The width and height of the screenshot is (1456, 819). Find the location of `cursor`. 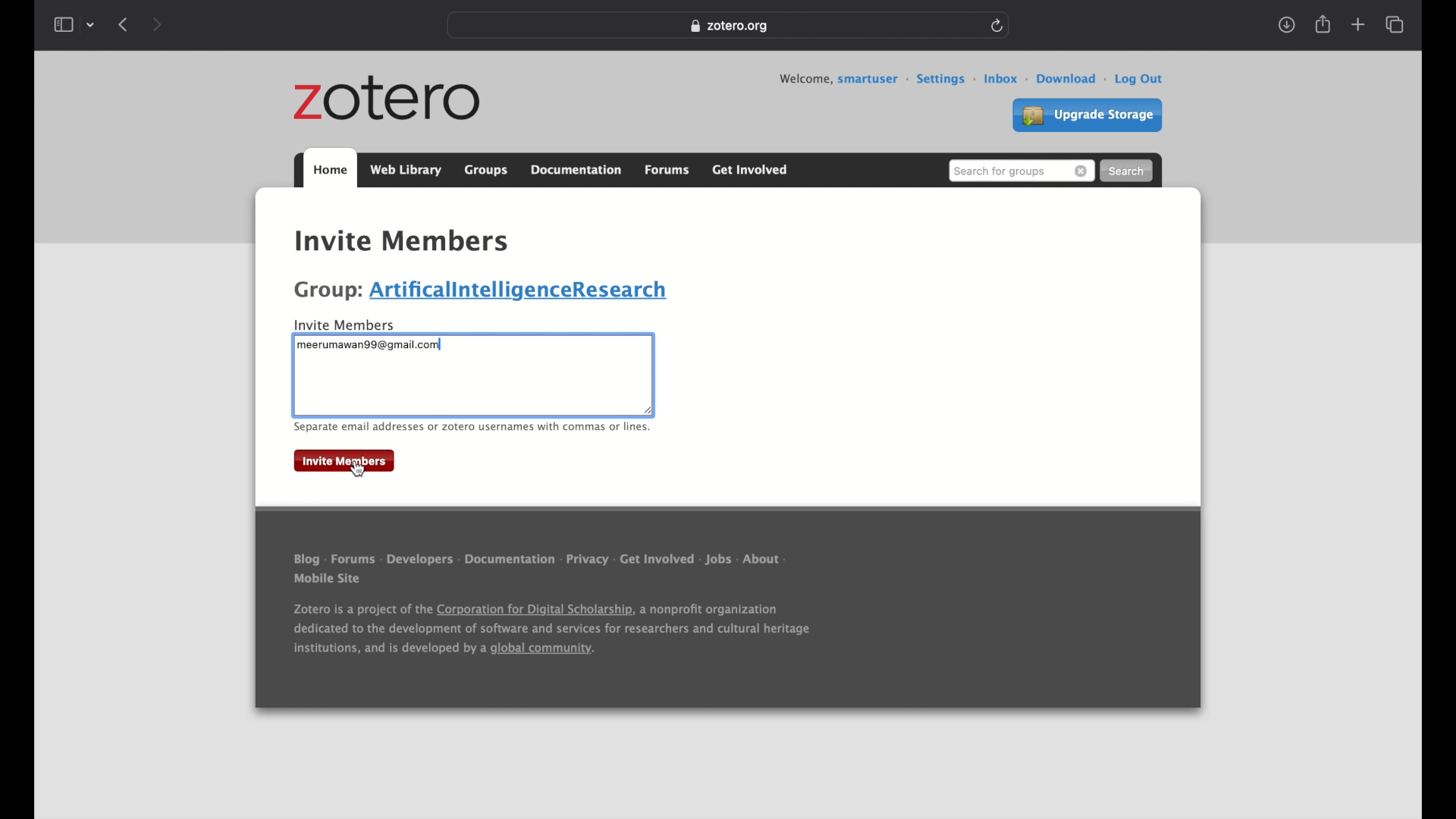

cursor is located at coordinates (356, 469).